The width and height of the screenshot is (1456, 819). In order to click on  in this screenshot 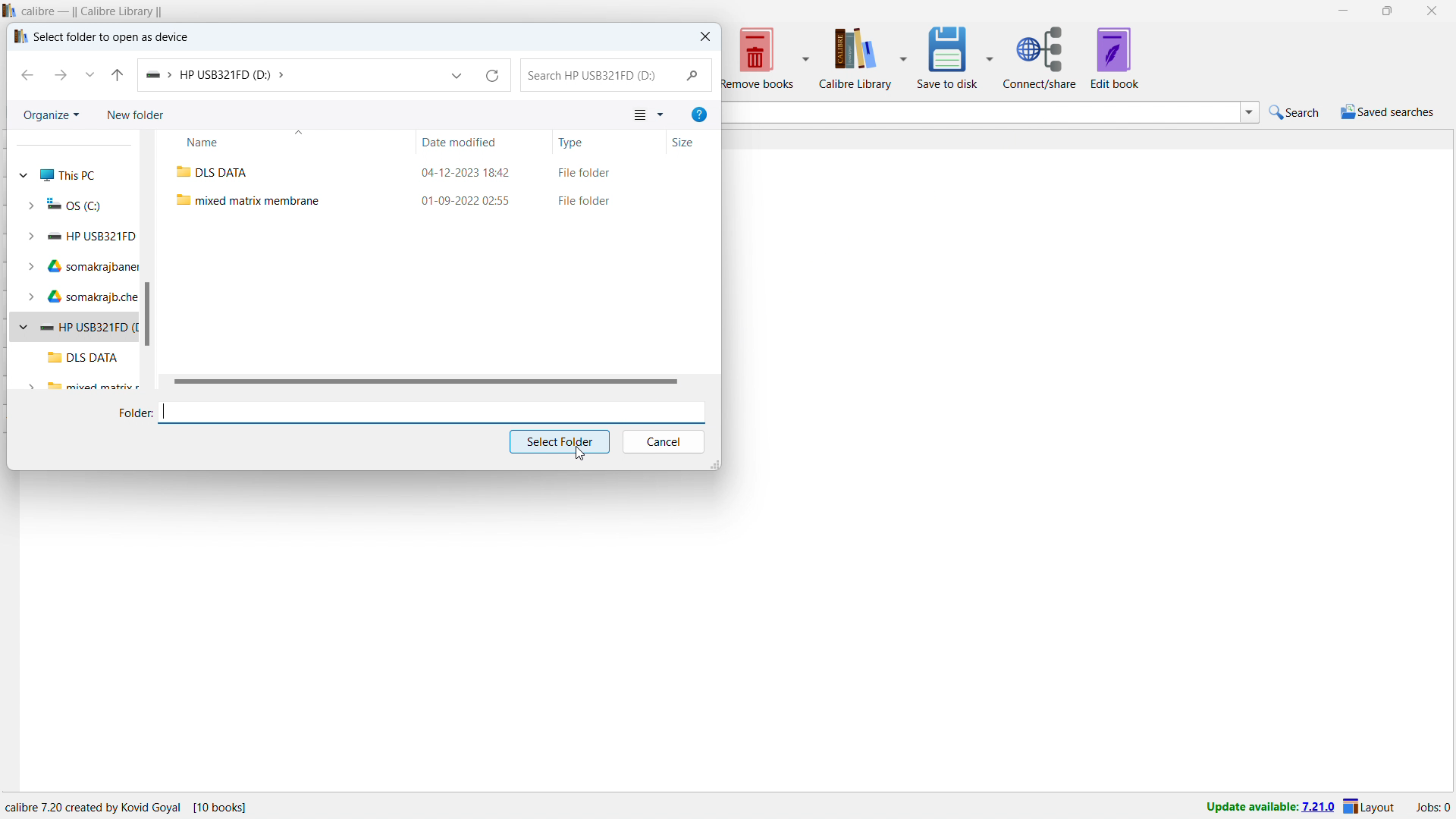, I will do `click(947, 59)`.